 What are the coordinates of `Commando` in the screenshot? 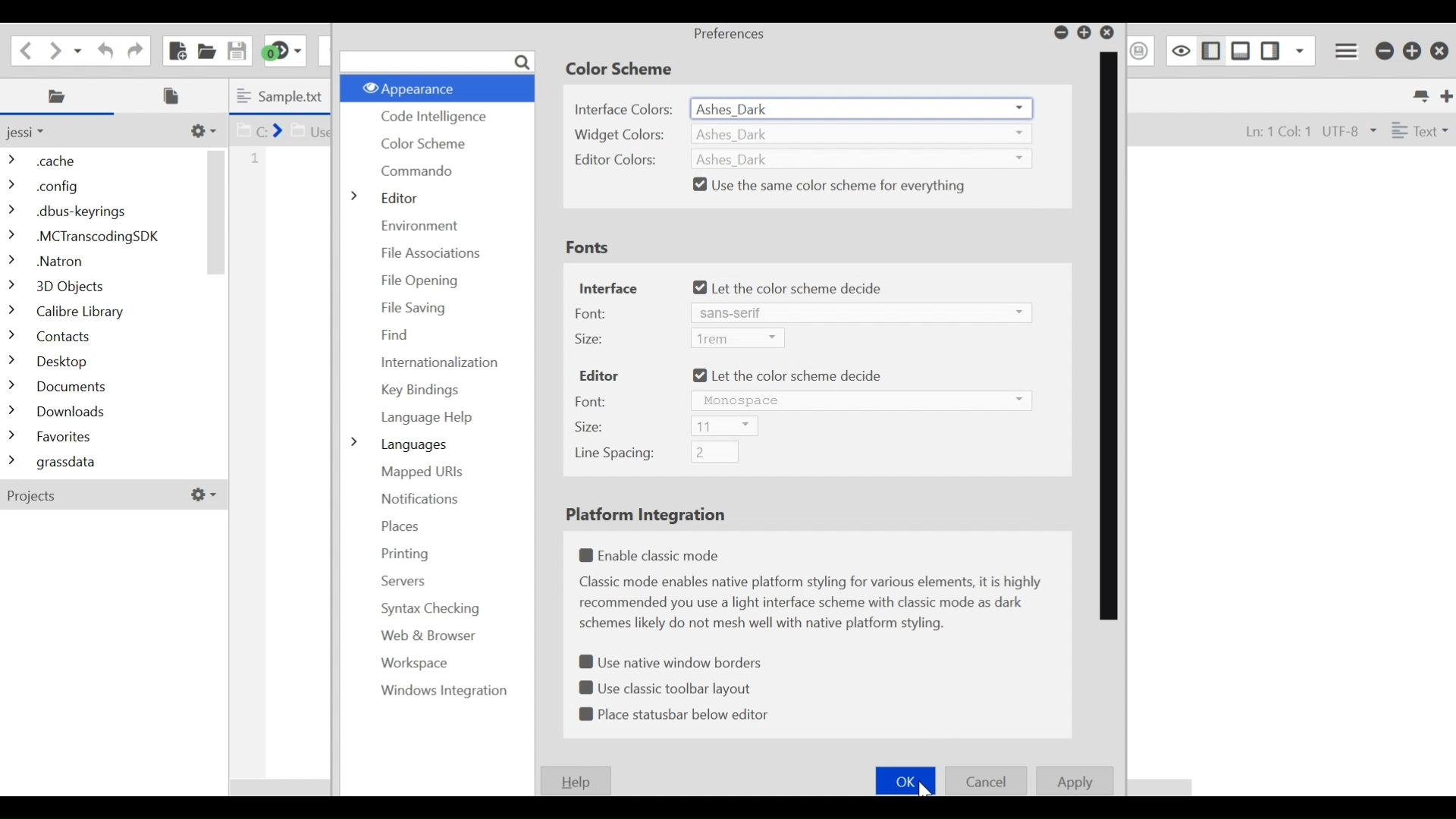 It's located at (421, 171).